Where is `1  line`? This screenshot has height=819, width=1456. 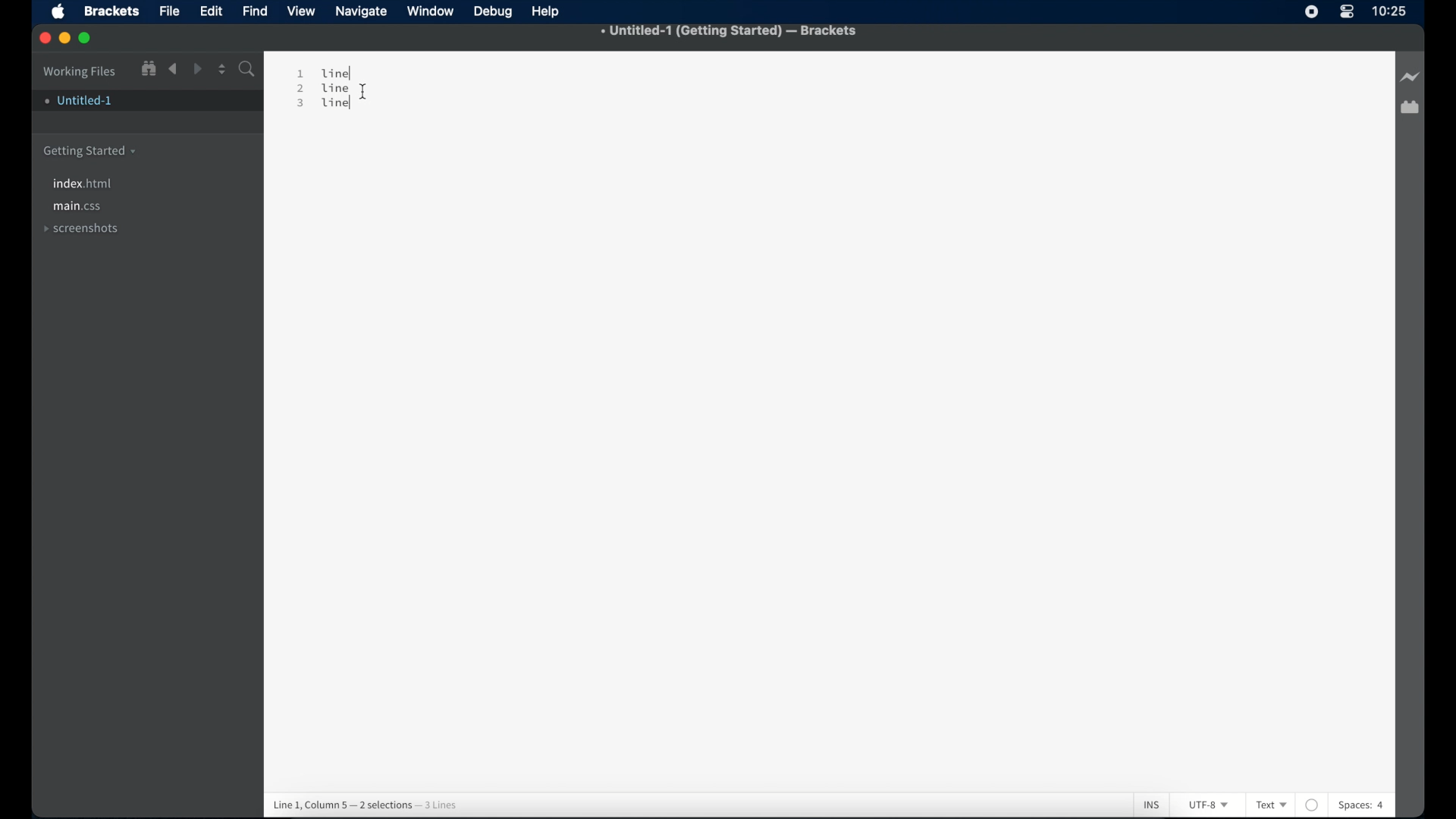
1  line is located at coordinates (325, 72).